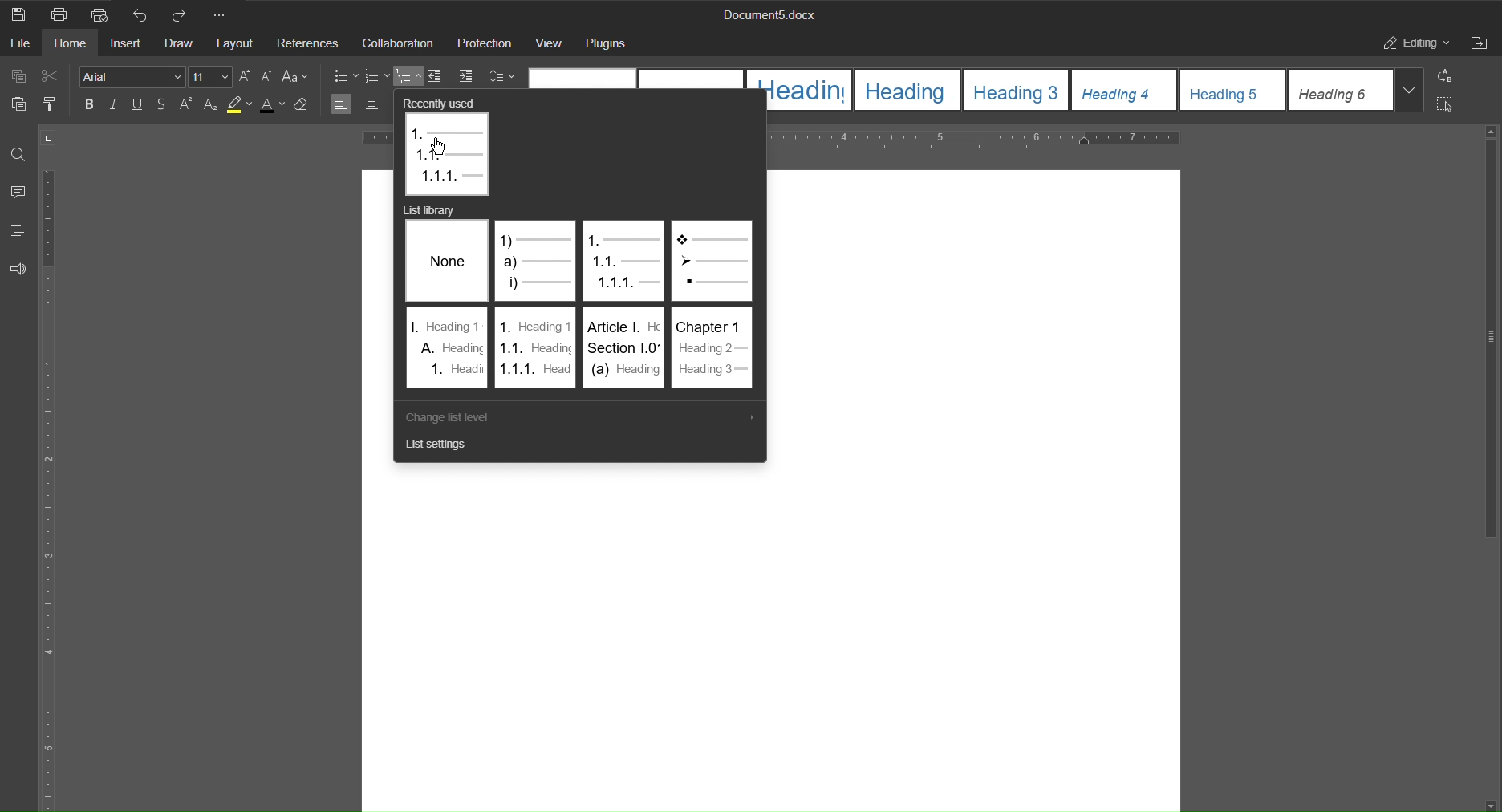 This screenshot has width=1502, height=812. Describe the element at coordinates (18, 156) in the screenshot. I see `Find` at that location.